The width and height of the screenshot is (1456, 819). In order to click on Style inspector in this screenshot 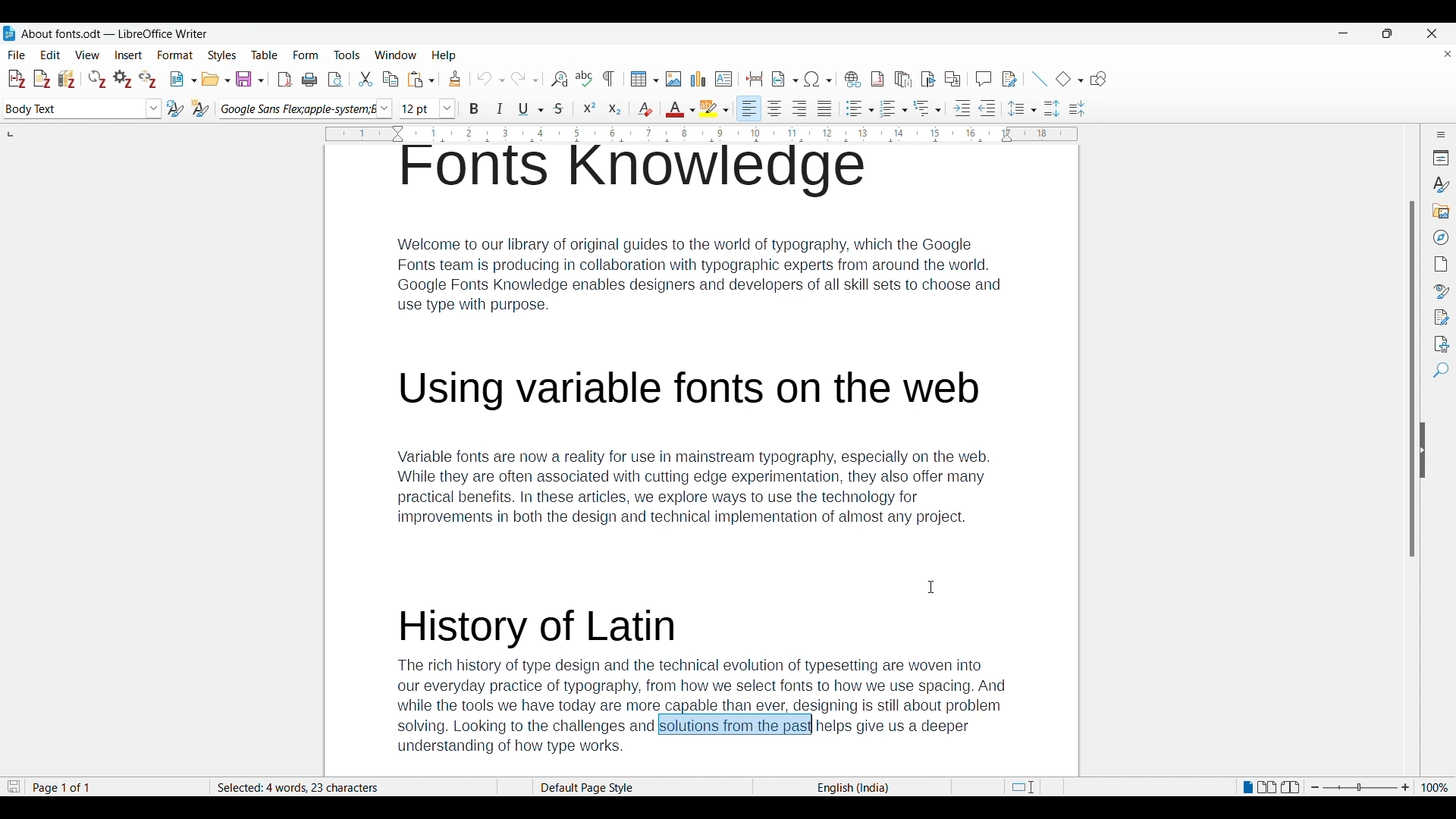, I will do `click(1440, 292)`.